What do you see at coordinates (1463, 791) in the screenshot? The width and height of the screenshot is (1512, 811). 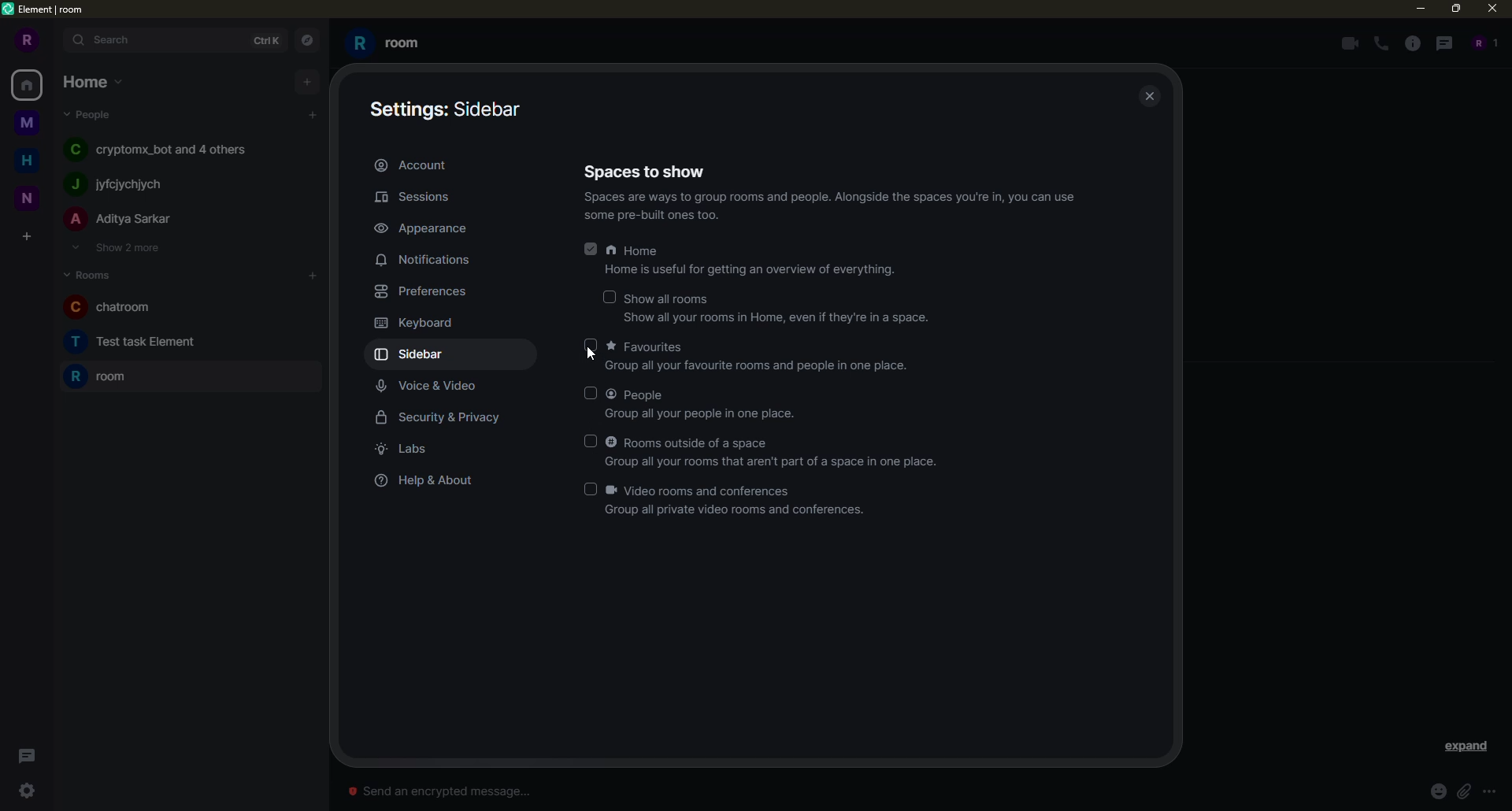 I see `attach` at bounding box center [1463, 791].